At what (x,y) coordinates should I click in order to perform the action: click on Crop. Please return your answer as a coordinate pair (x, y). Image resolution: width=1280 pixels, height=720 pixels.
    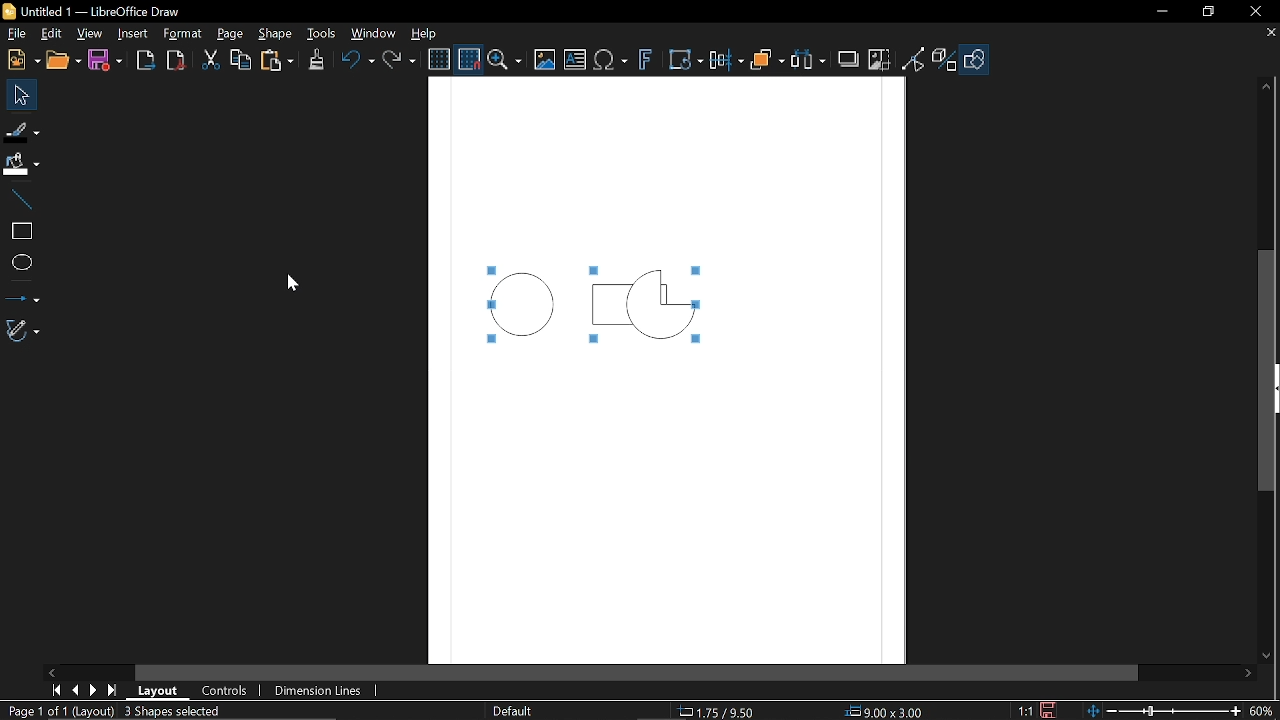
    Looking at the image, I should click on (878, 60).